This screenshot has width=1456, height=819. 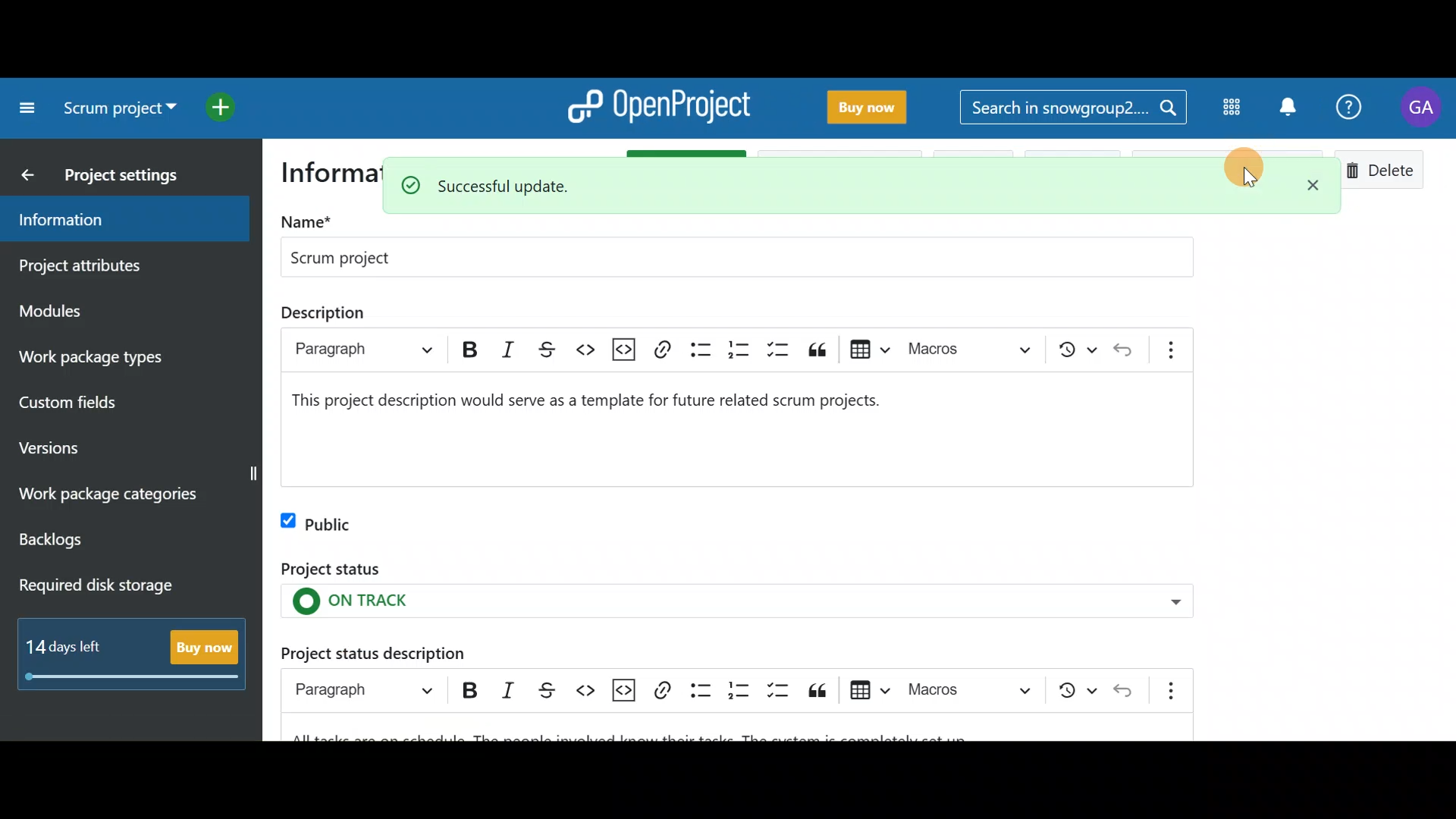 What do you see at coordinates (742, 730) in the screenshot?
I see `Project status description` at bounding box center [742, 730].